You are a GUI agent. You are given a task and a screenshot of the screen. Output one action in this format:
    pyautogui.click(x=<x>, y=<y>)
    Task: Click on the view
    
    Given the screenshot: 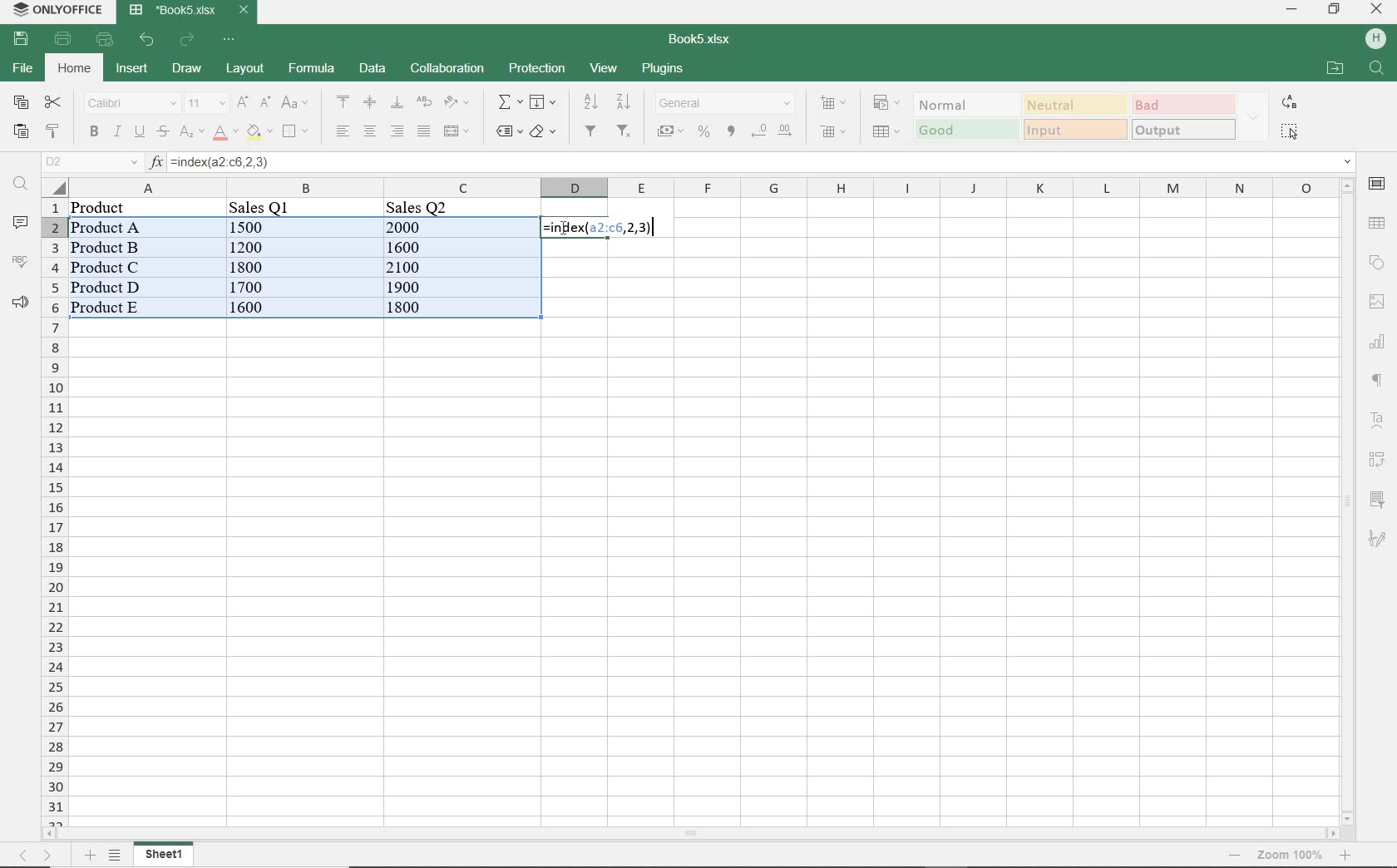 What is the action you would take?
    pyautogui.click(x=604, y=68)
    